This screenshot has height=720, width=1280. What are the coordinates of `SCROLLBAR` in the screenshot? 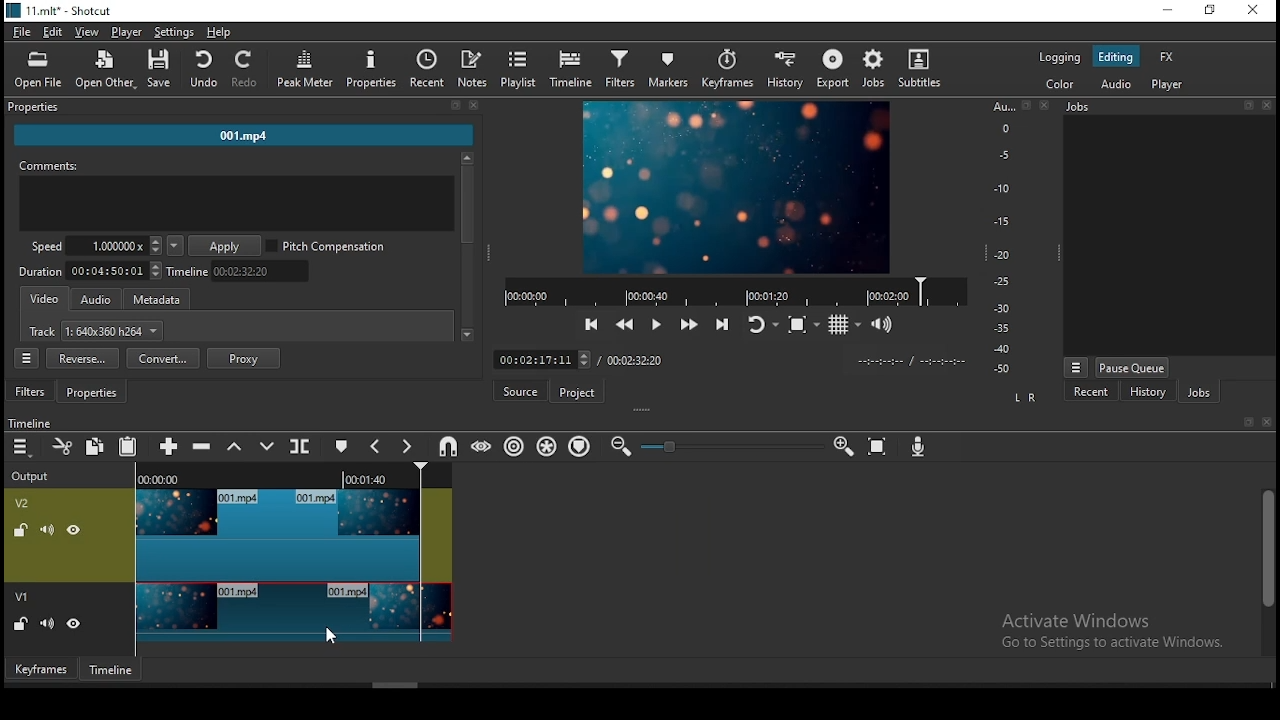 It's located at (467, 249).